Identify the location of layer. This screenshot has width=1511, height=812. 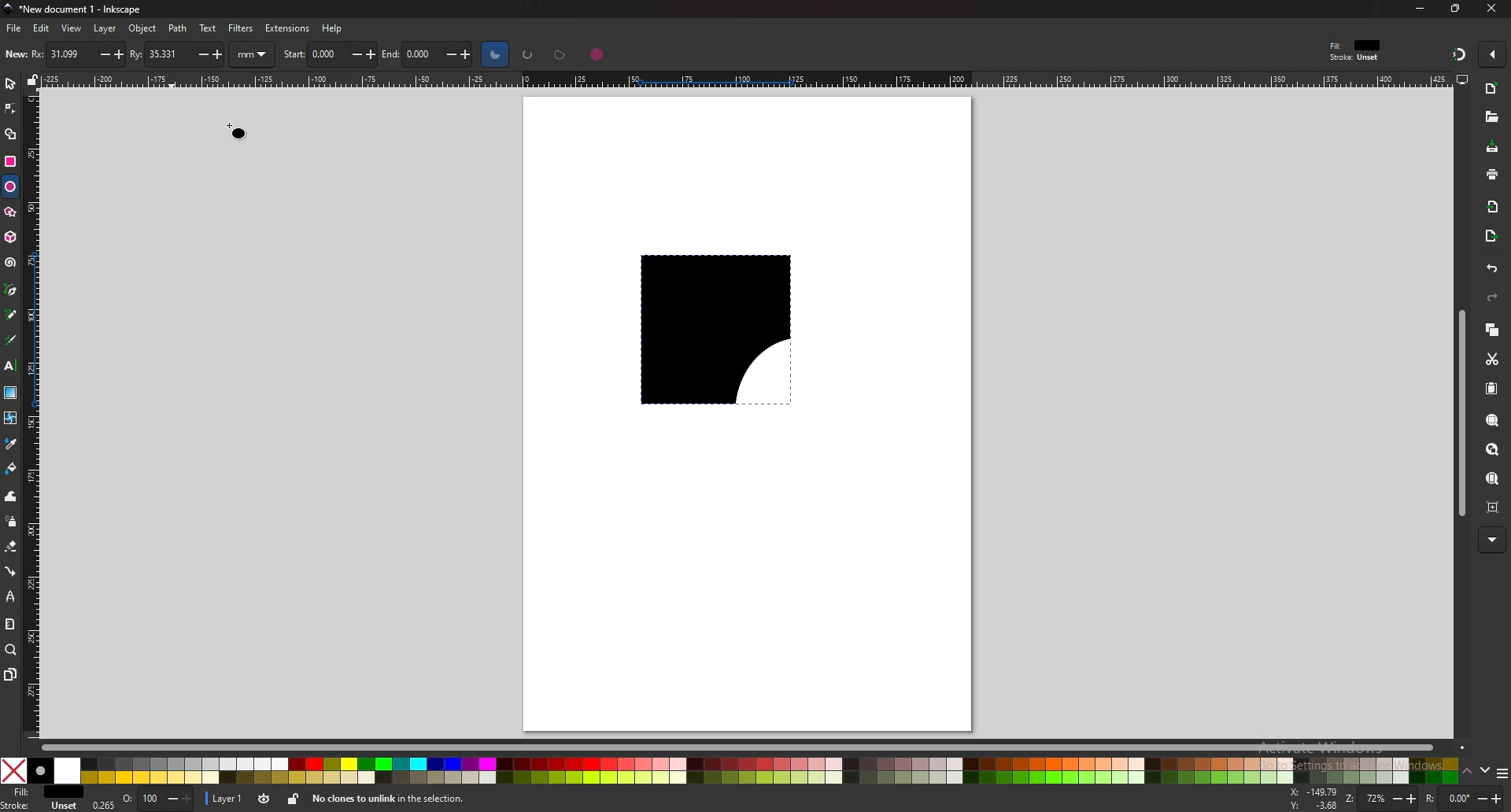
(106, 29).